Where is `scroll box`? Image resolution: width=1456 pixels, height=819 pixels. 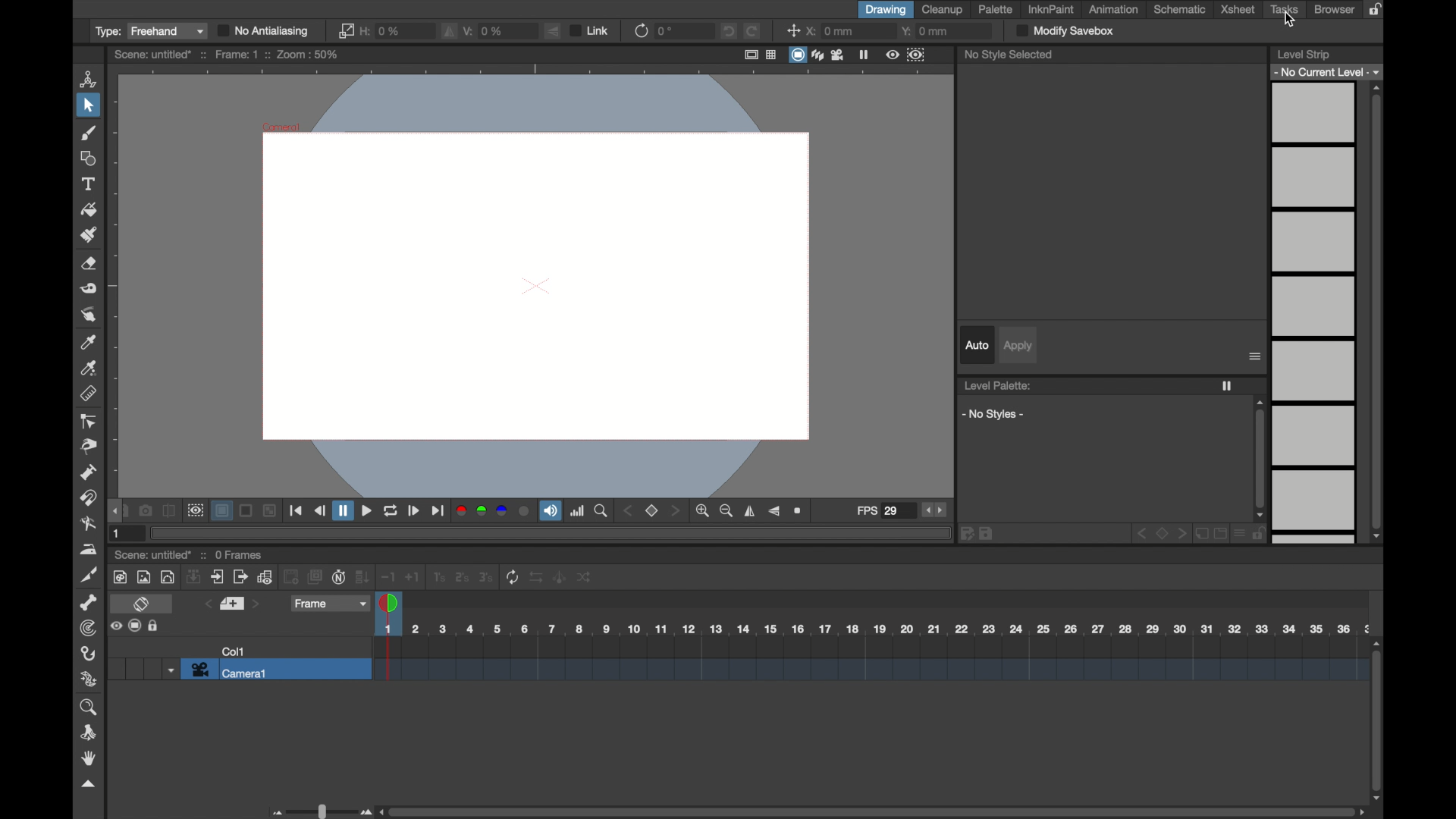
scroll box is located at coordinates (1377, 312).